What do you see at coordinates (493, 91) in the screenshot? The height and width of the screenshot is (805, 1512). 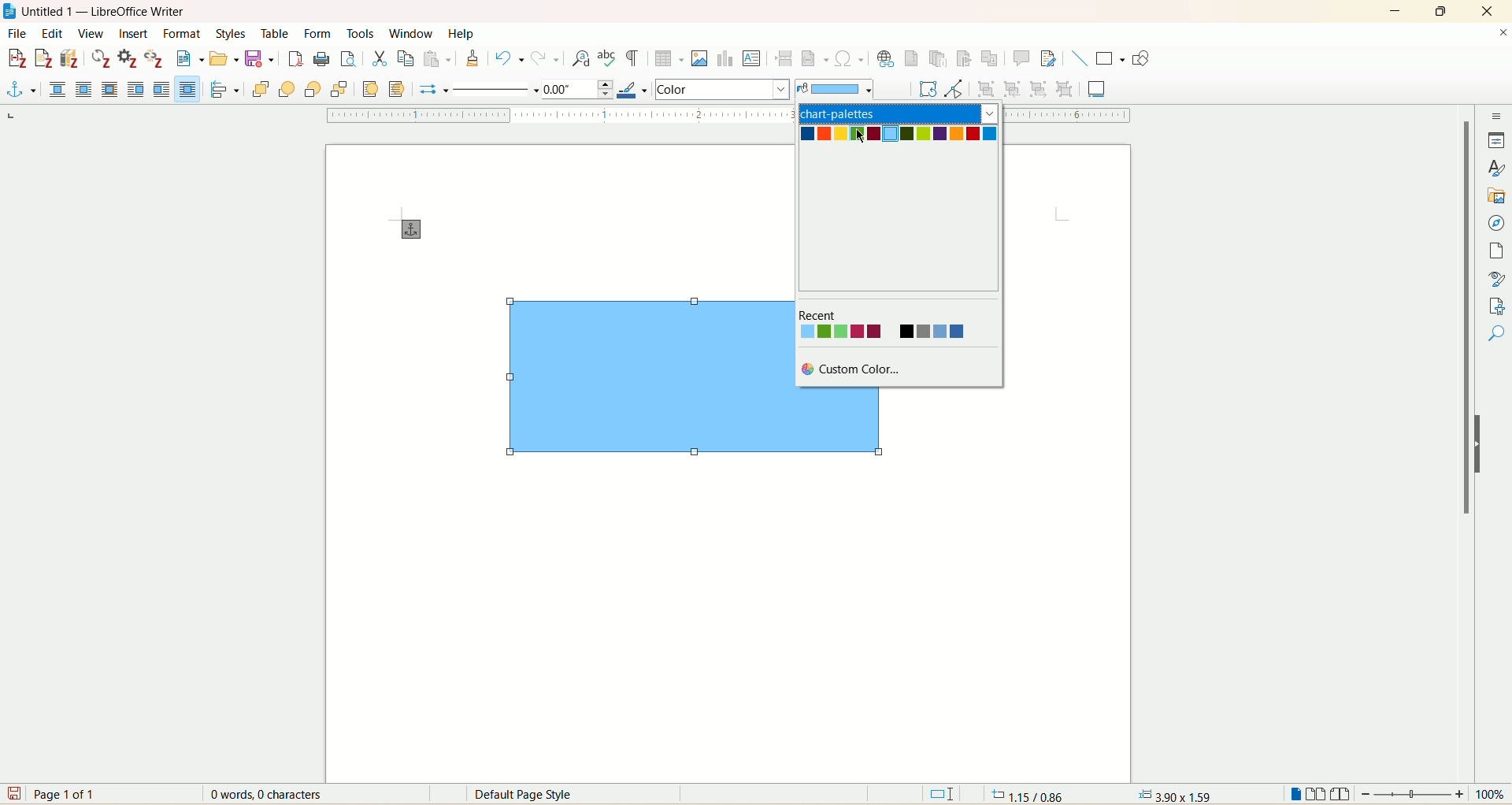 I see `line pattern` at bounding box center [493, 91].